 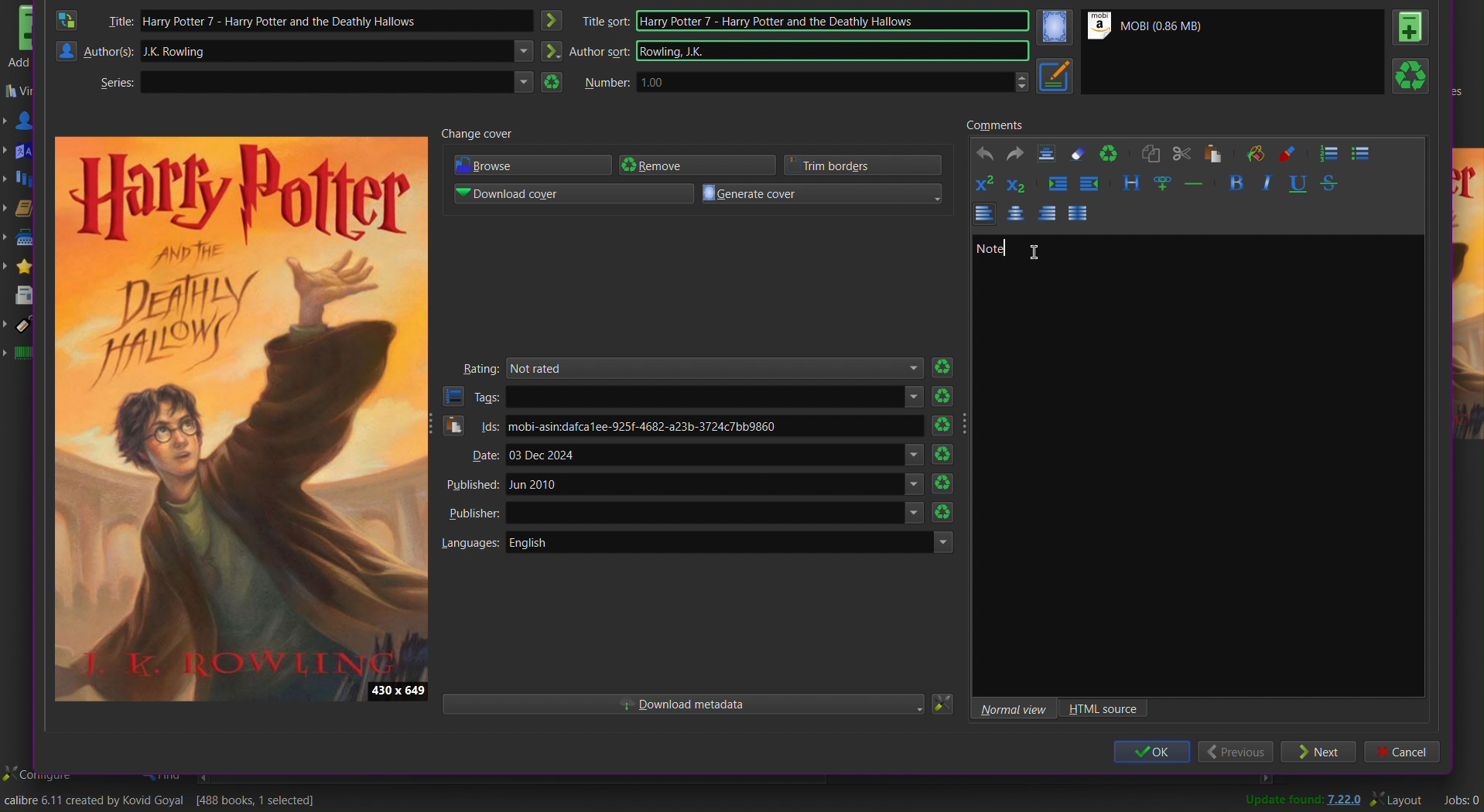 I want to click on Bullet List, so click(x=1363, y=152).